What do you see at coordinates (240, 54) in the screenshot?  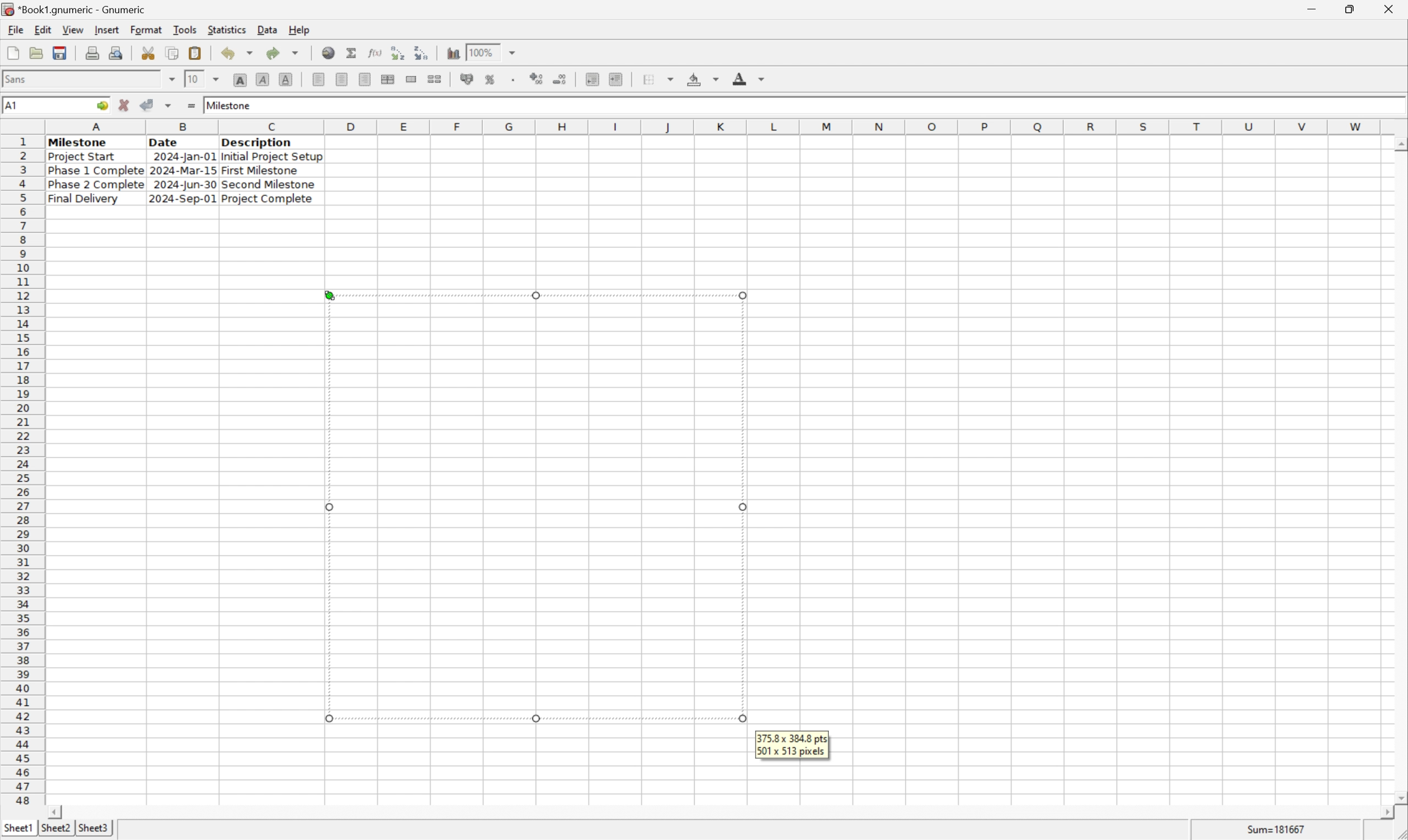 I see `undo` at bounding box center [240, 54].